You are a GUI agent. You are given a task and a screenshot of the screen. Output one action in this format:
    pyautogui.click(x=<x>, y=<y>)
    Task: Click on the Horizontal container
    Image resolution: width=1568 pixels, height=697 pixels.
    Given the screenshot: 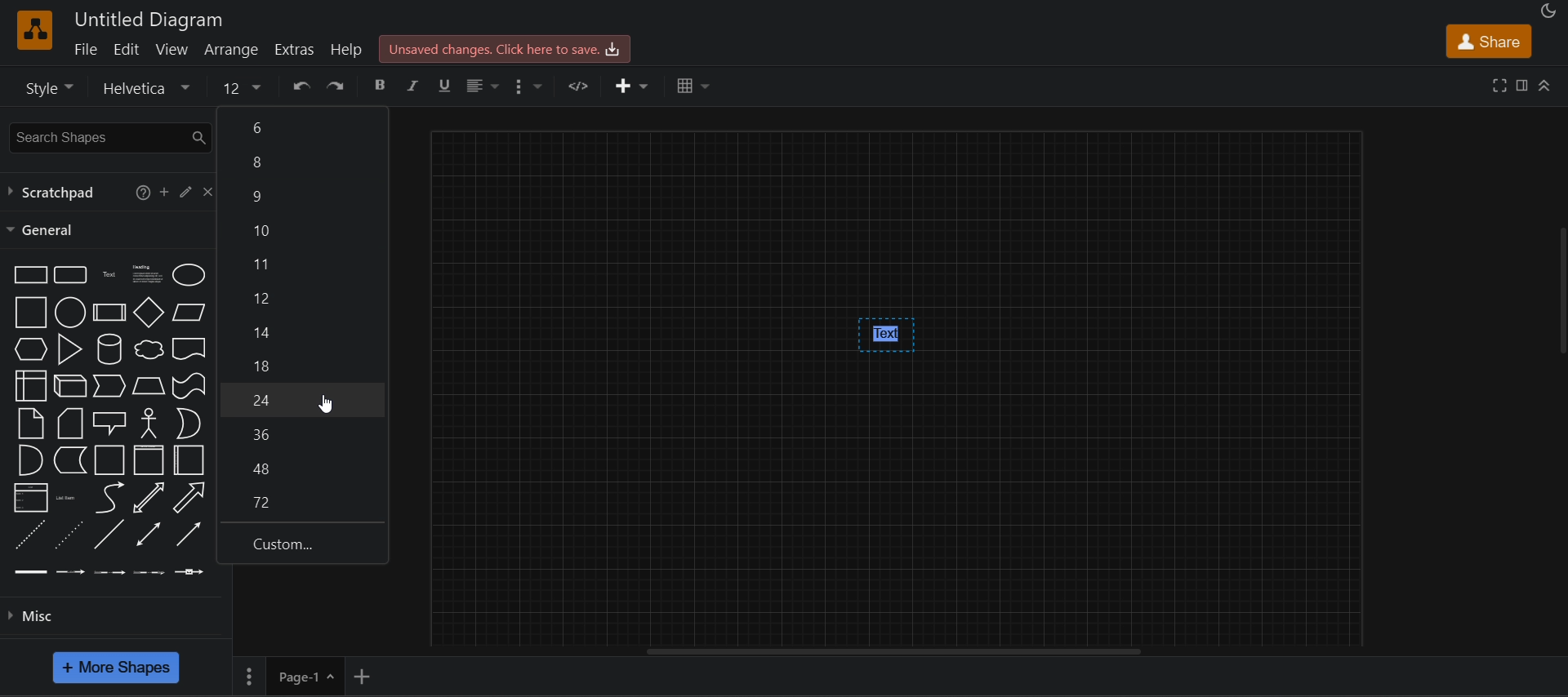 What is the action you would take?
    pyautogui.click(x=189, y=460)
    